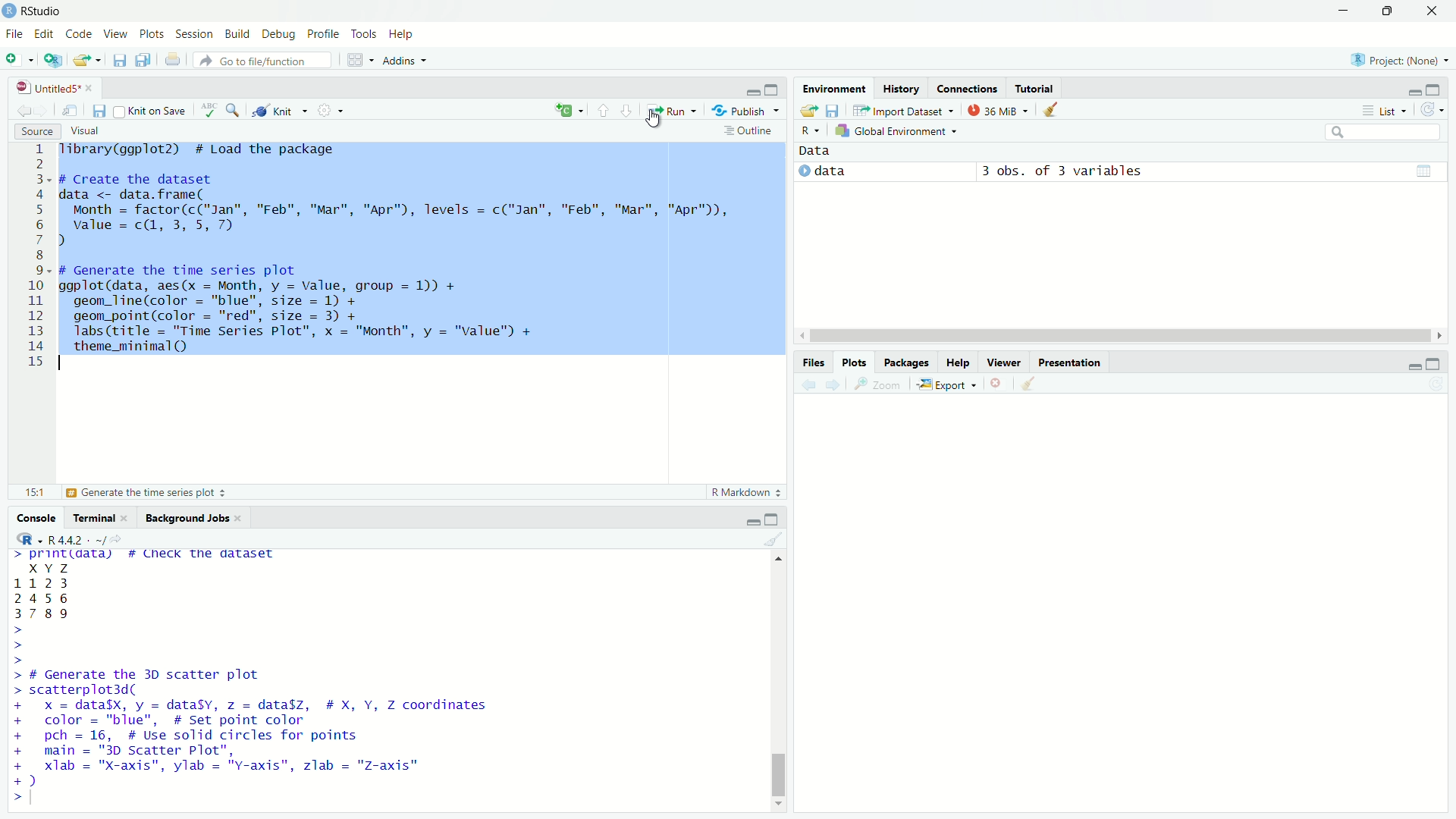 The width and height of the screenshot is (1456, 819). I want to click on file, so click(13, 33).